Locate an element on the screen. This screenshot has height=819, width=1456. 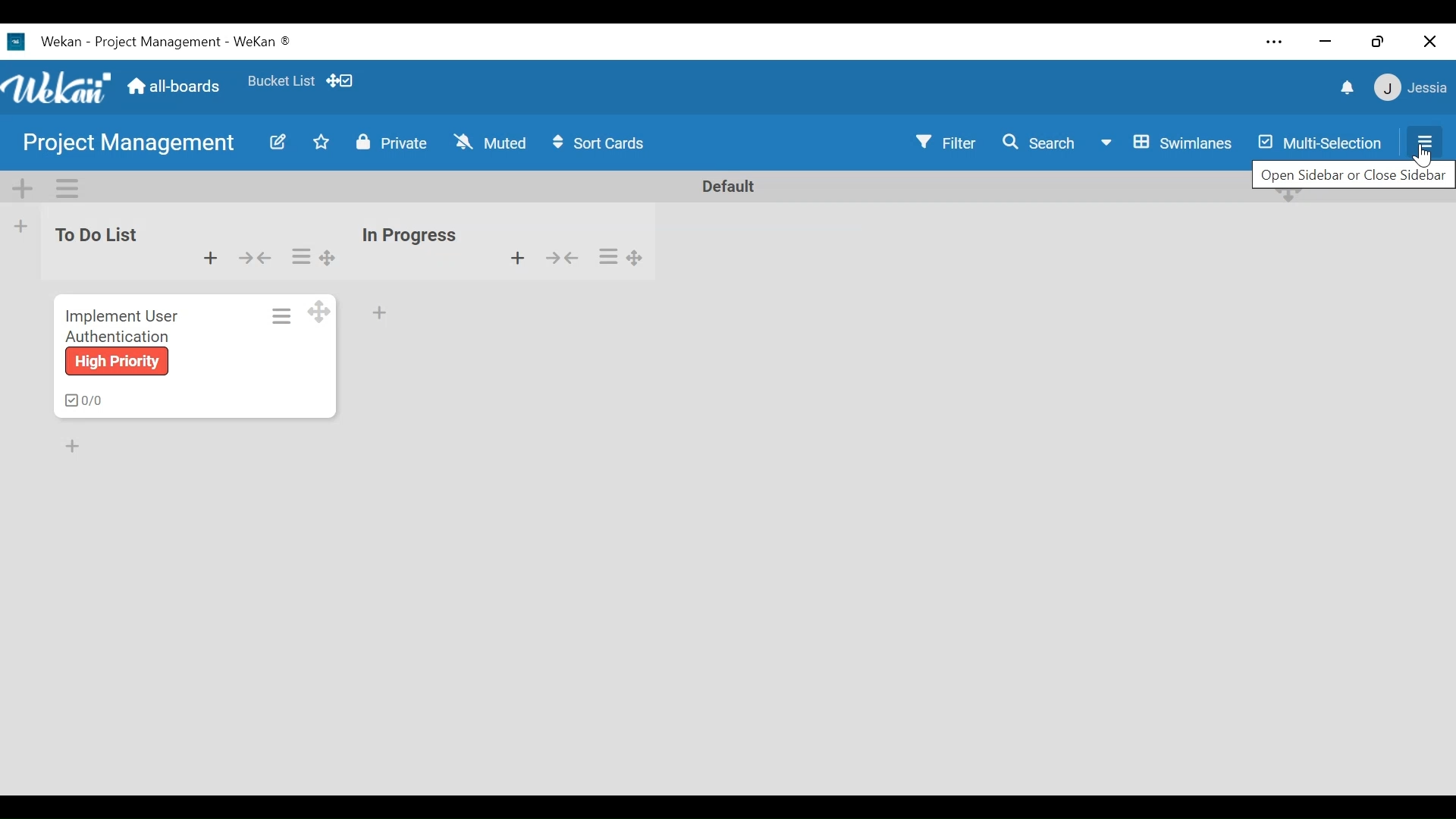
Cursor is located at coordinates (1423, 157).